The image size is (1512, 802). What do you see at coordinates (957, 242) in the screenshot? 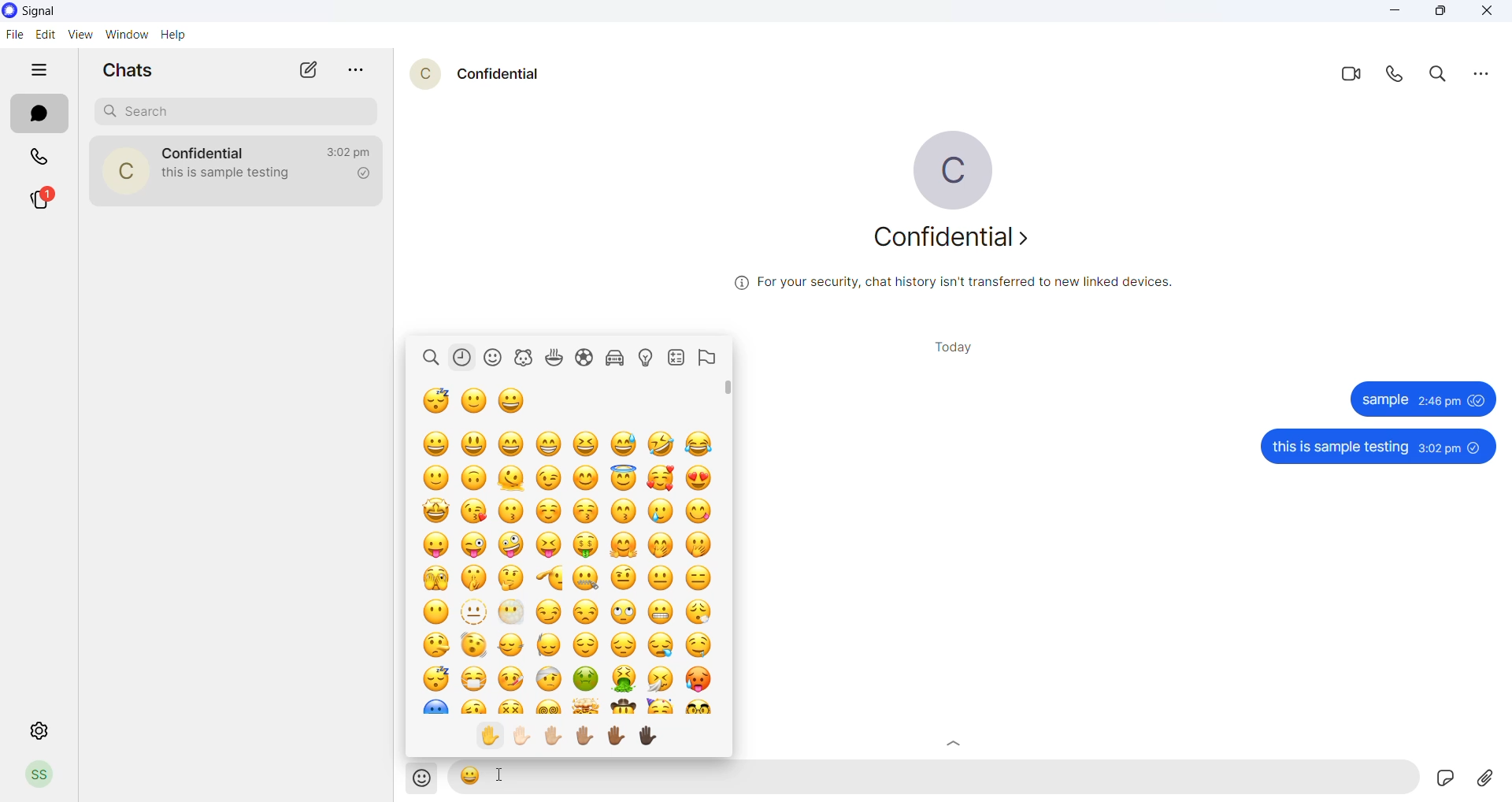
I see `about contact` at bounding box center [957, 242].